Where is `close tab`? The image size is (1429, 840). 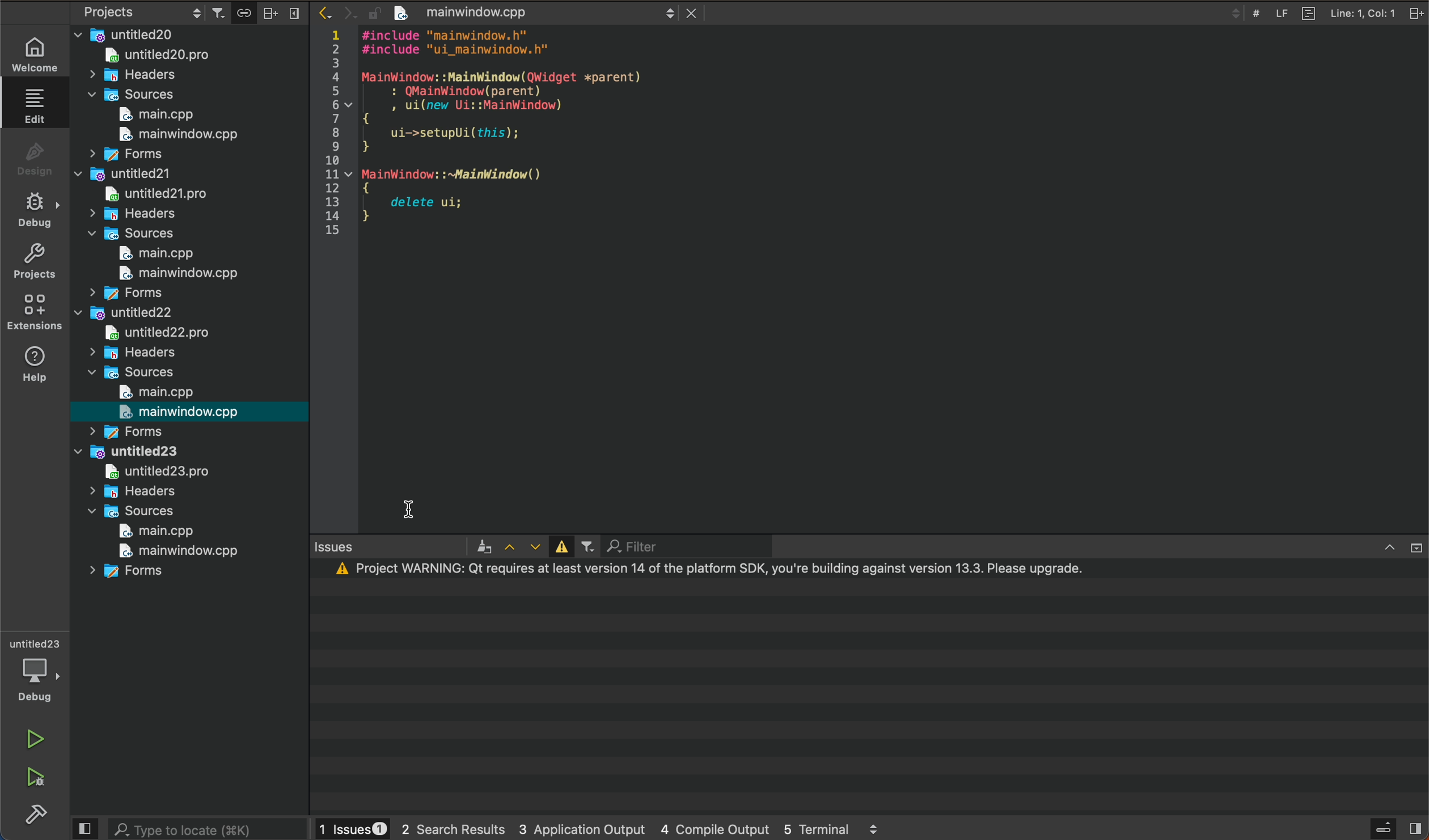
close tab is located at coordinates (692, 14).